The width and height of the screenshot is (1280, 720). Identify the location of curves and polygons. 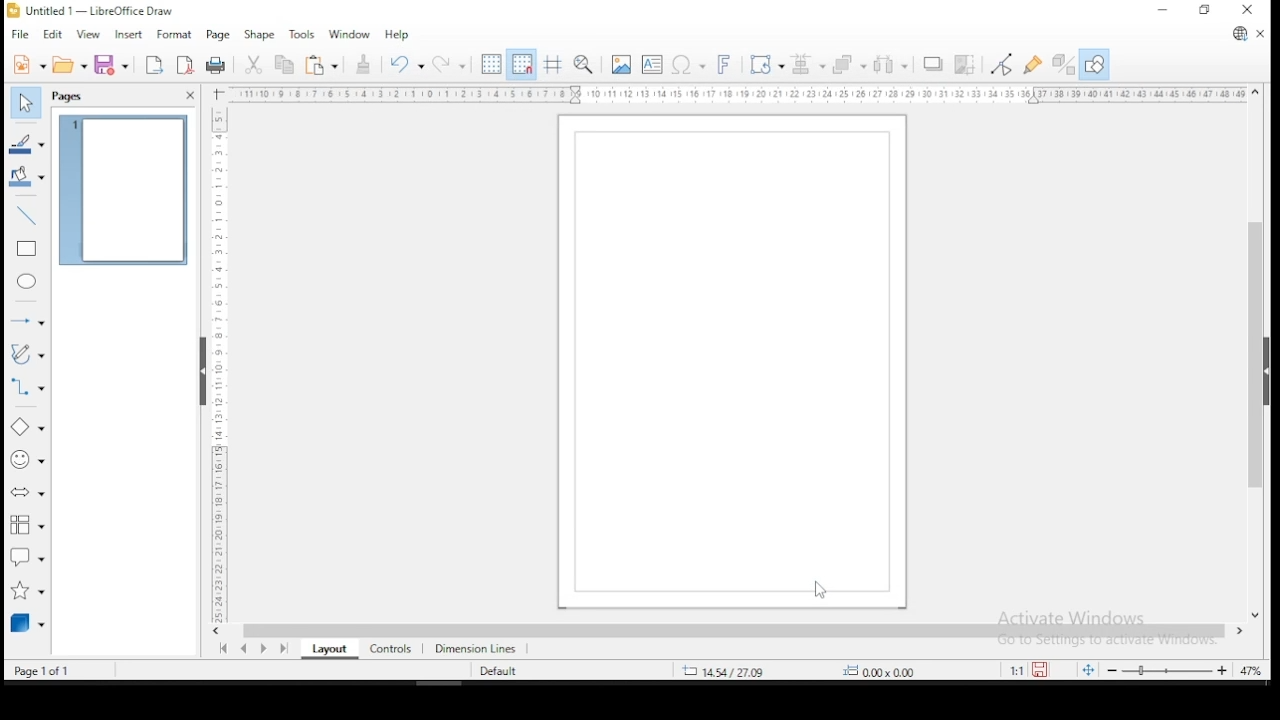
(27, 355).